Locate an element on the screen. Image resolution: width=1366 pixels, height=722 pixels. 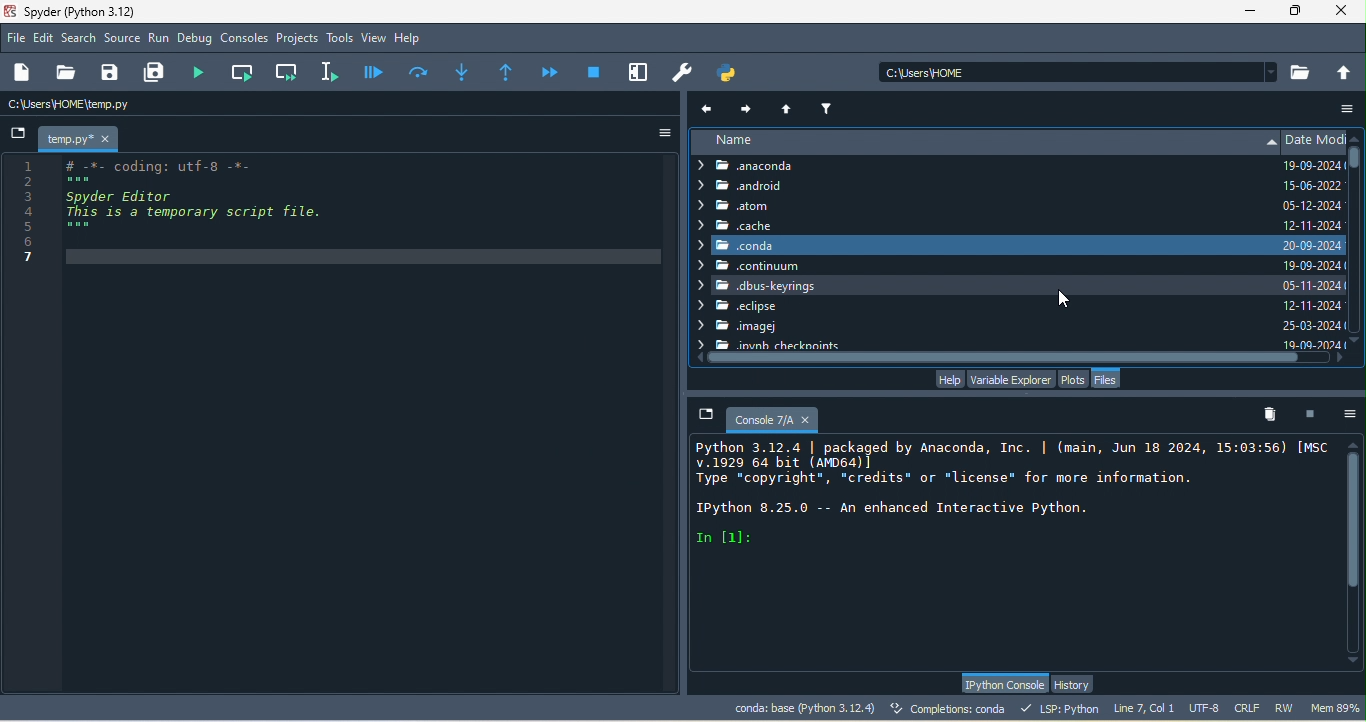
minimize is located at coordinates (1249, 14).